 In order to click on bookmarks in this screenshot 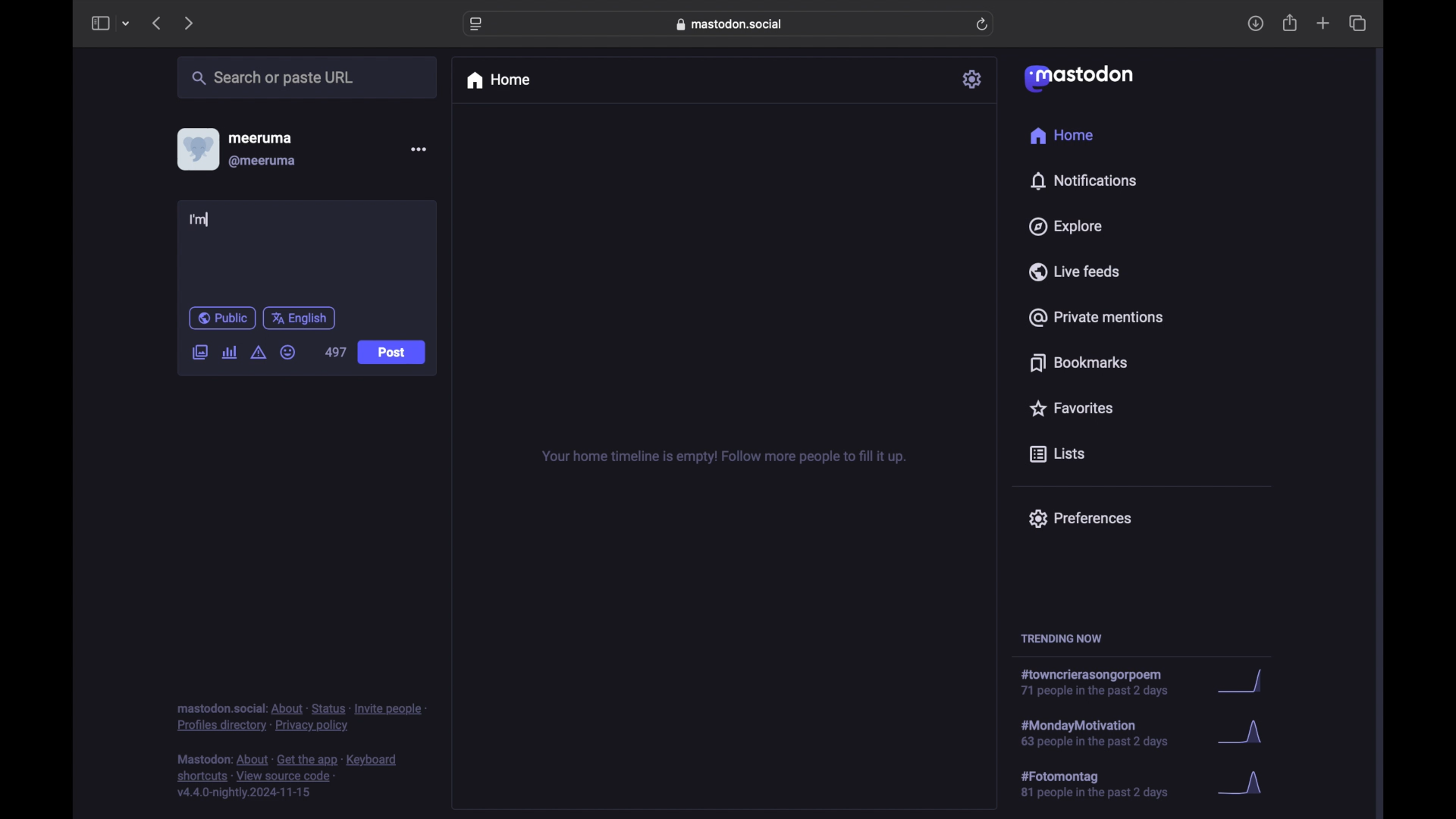, I will do `click(1081, 362)`.